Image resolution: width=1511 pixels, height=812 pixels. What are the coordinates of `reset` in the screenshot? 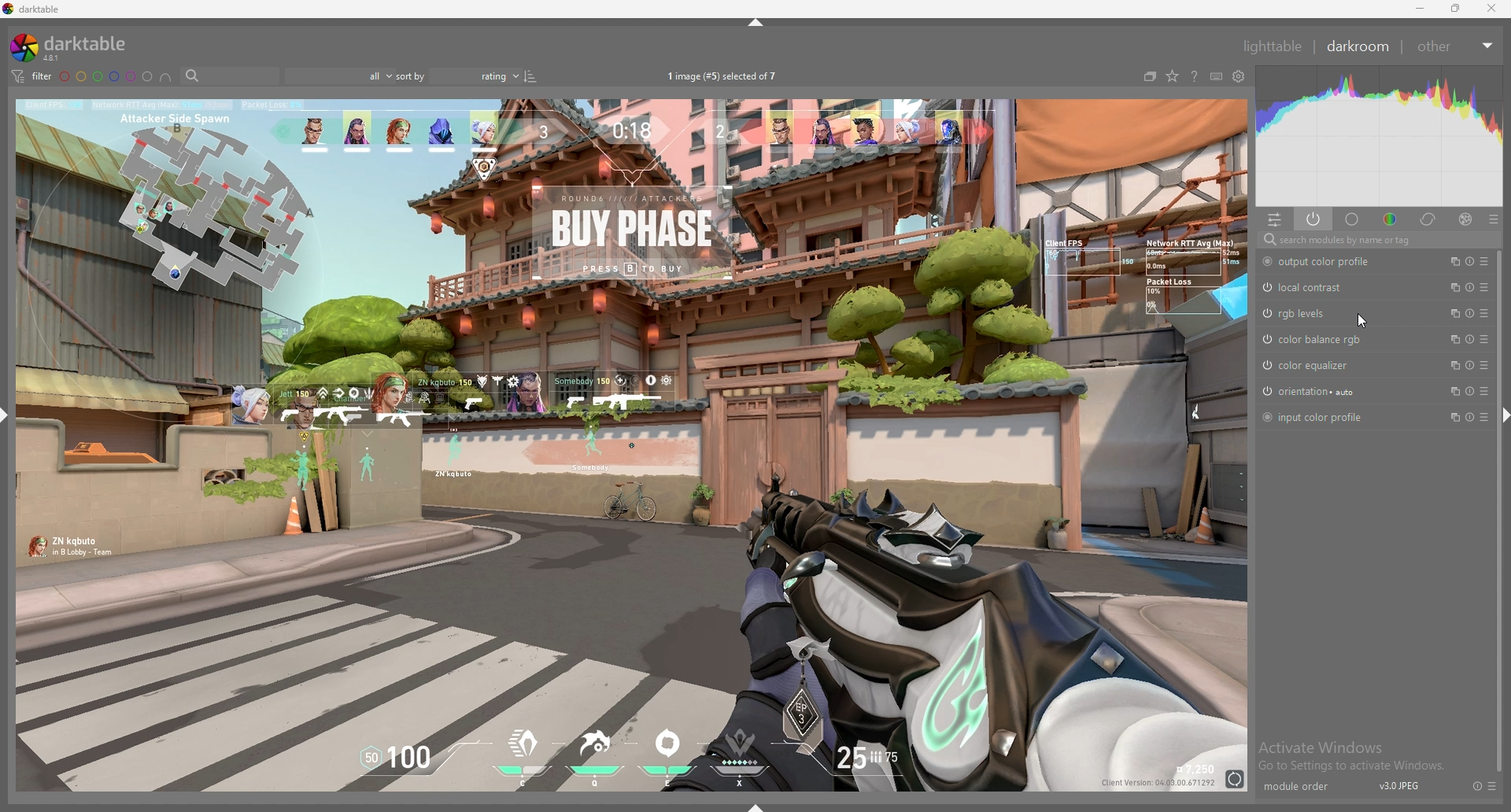 It's located at (1471, 313).